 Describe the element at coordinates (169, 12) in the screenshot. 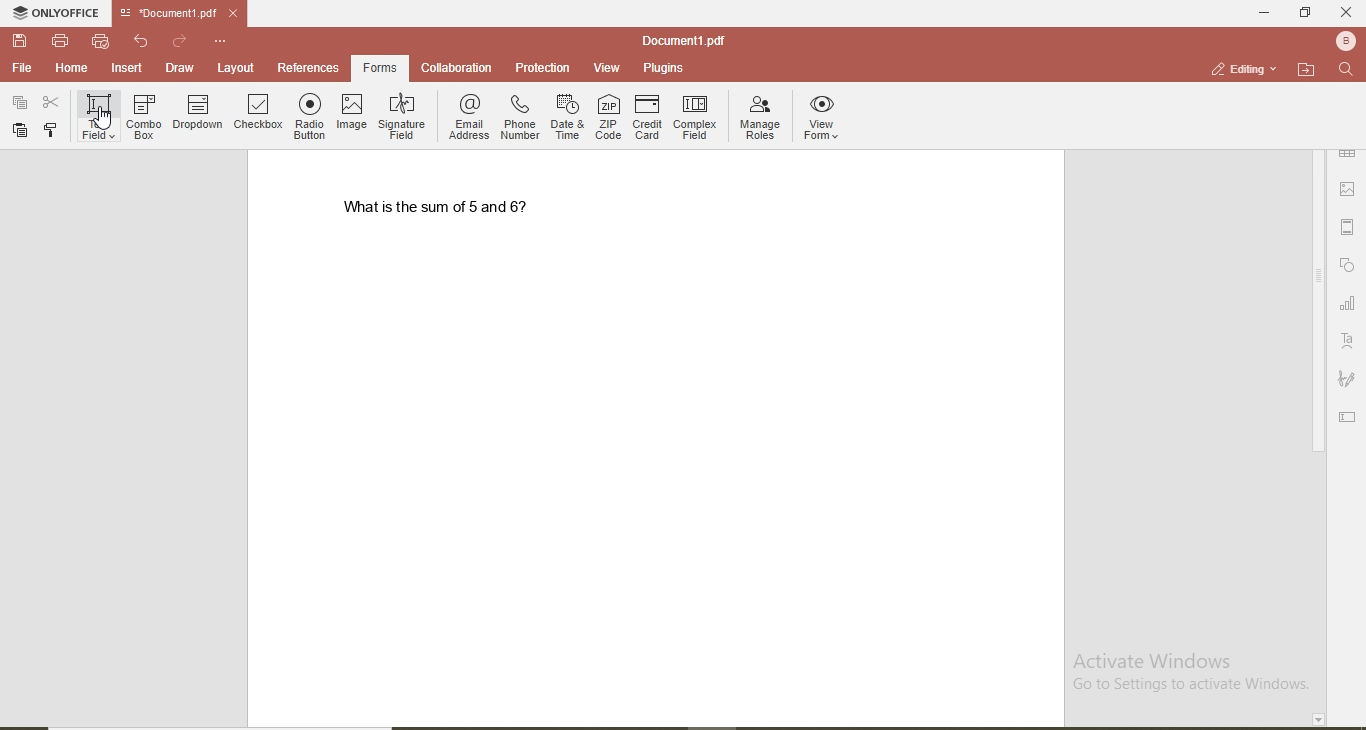

I see `file name tab` at that location.